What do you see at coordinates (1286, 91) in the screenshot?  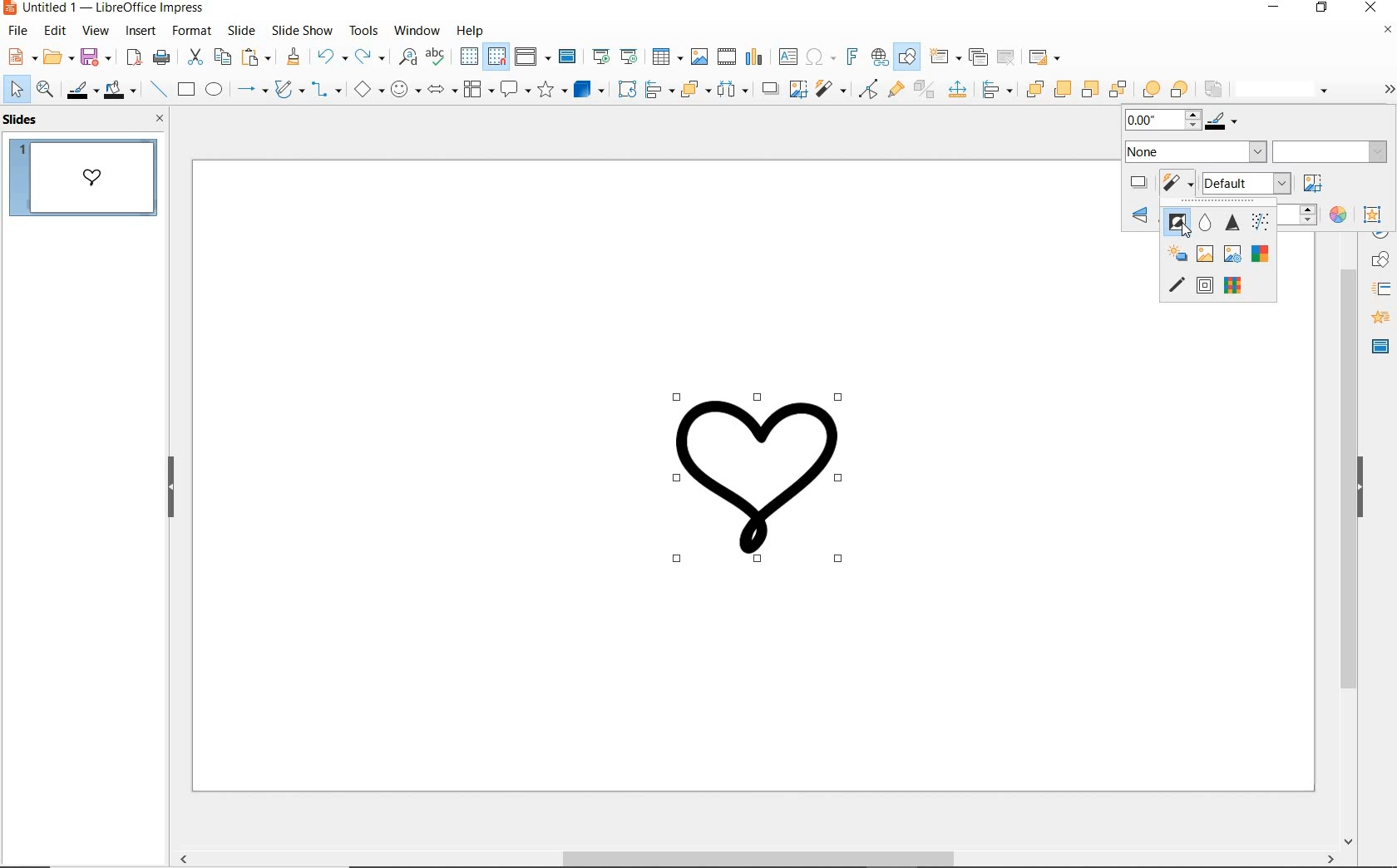 I see `line style` at bounding box center [1286, 91].